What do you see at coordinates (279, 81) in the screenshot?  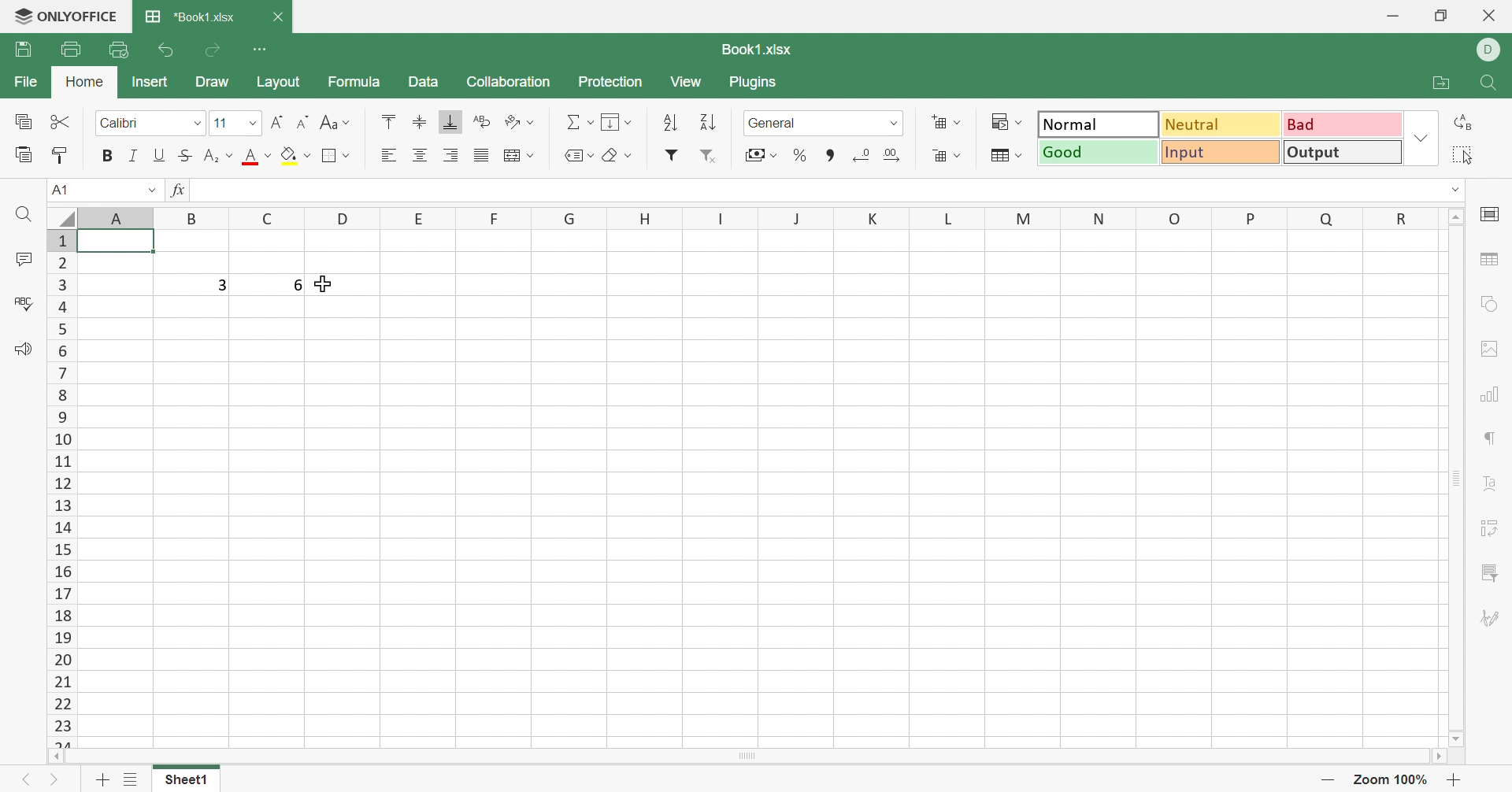 I see `Layout` at bounding box center [279, 81].